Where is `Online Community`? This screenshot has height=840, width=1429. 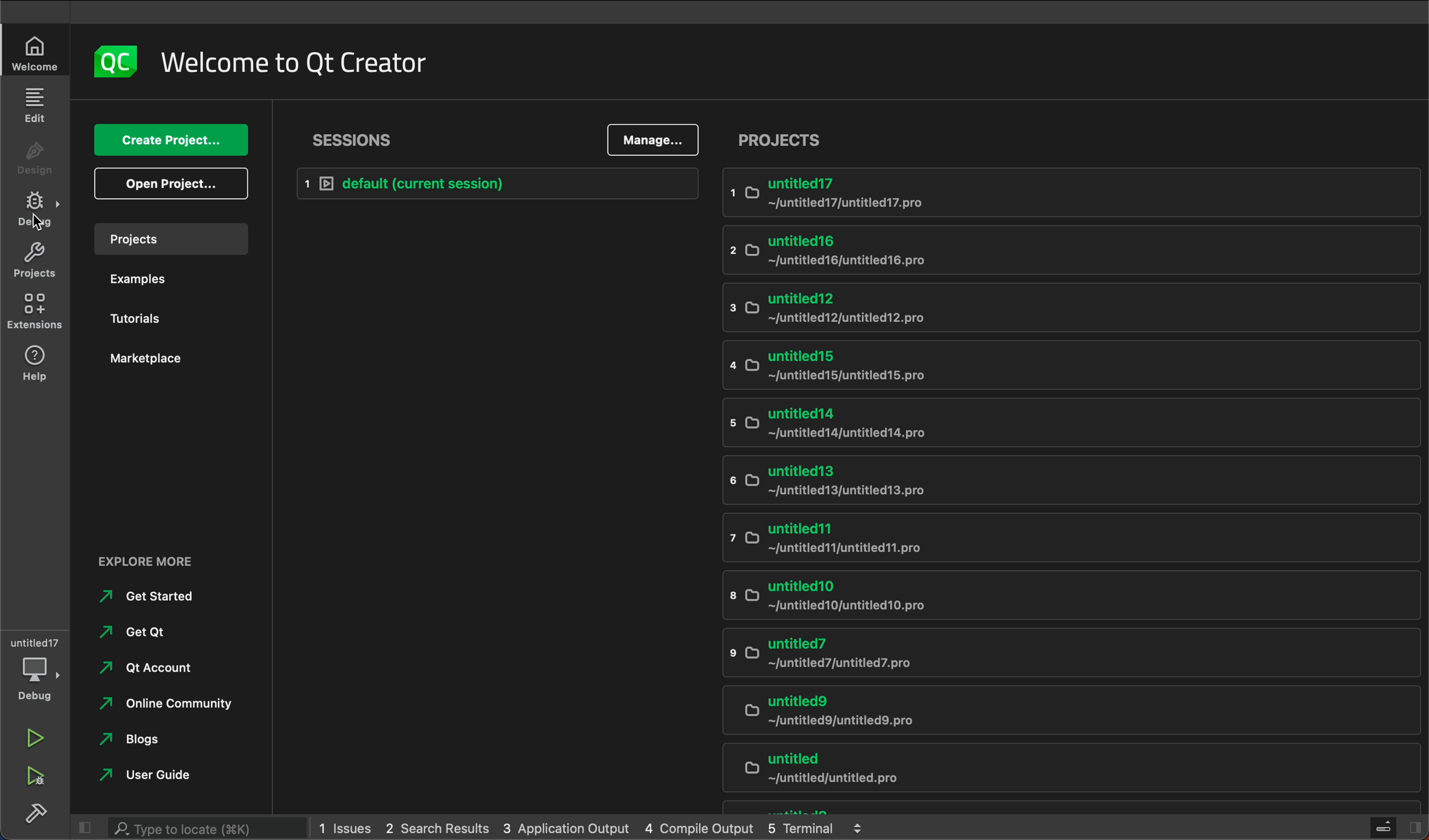
Online Community is located at coordinates (167, 703).